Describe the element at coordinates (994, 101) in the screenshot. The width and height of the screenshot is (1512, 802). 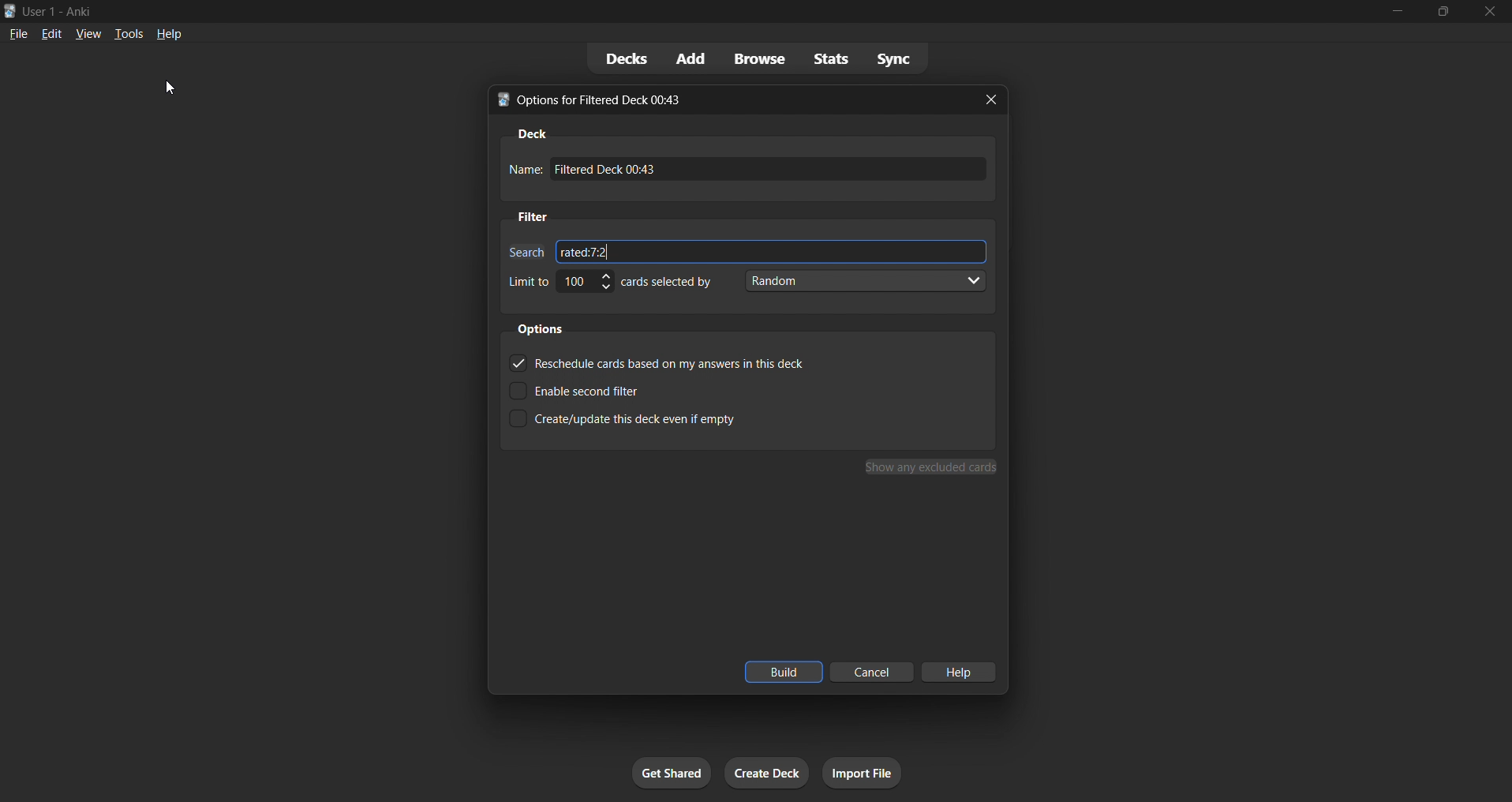
I see `close` at that location.